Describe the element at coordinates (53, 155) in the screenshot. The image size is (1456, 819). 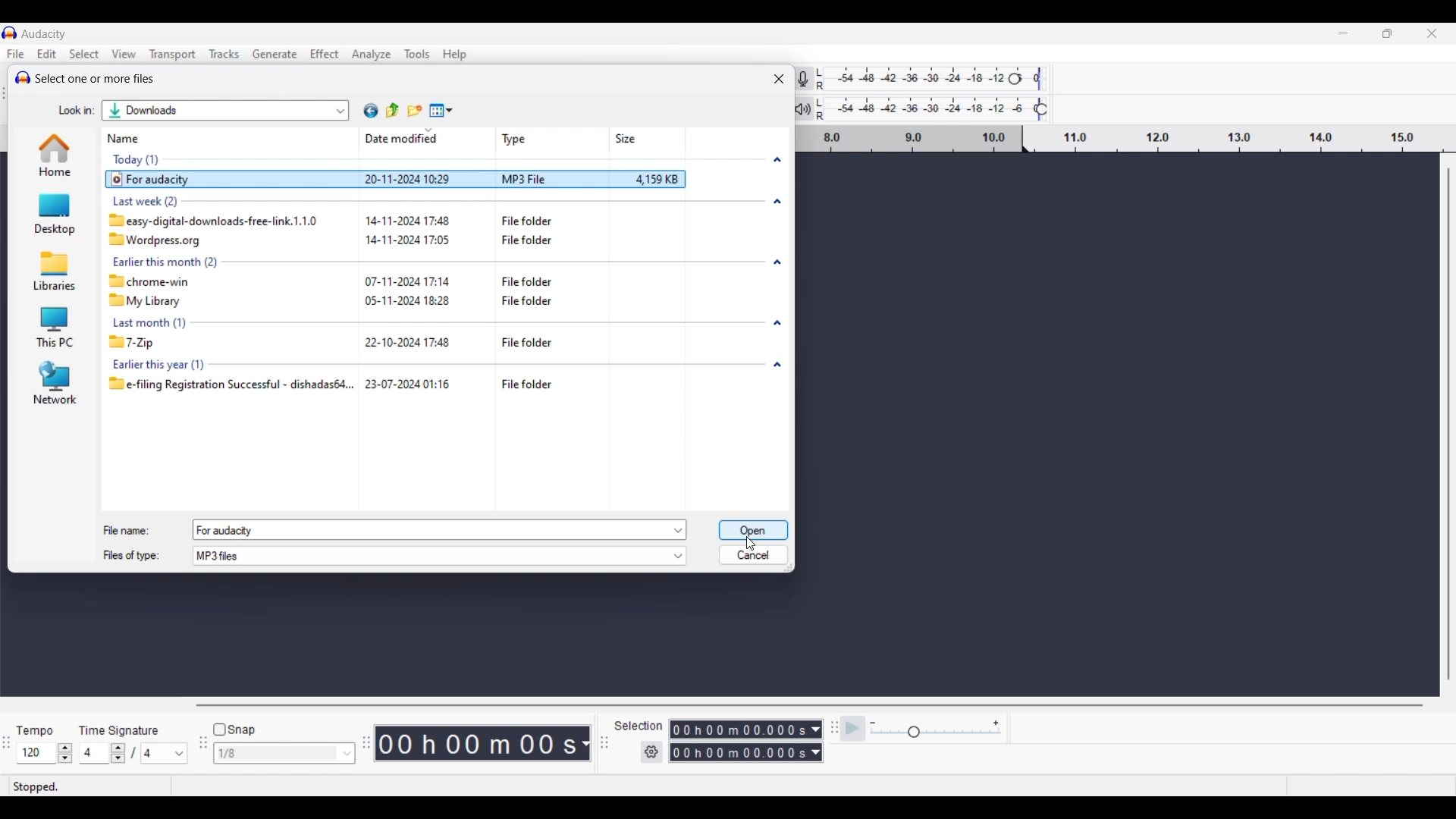
I see `Home folder` at that location.